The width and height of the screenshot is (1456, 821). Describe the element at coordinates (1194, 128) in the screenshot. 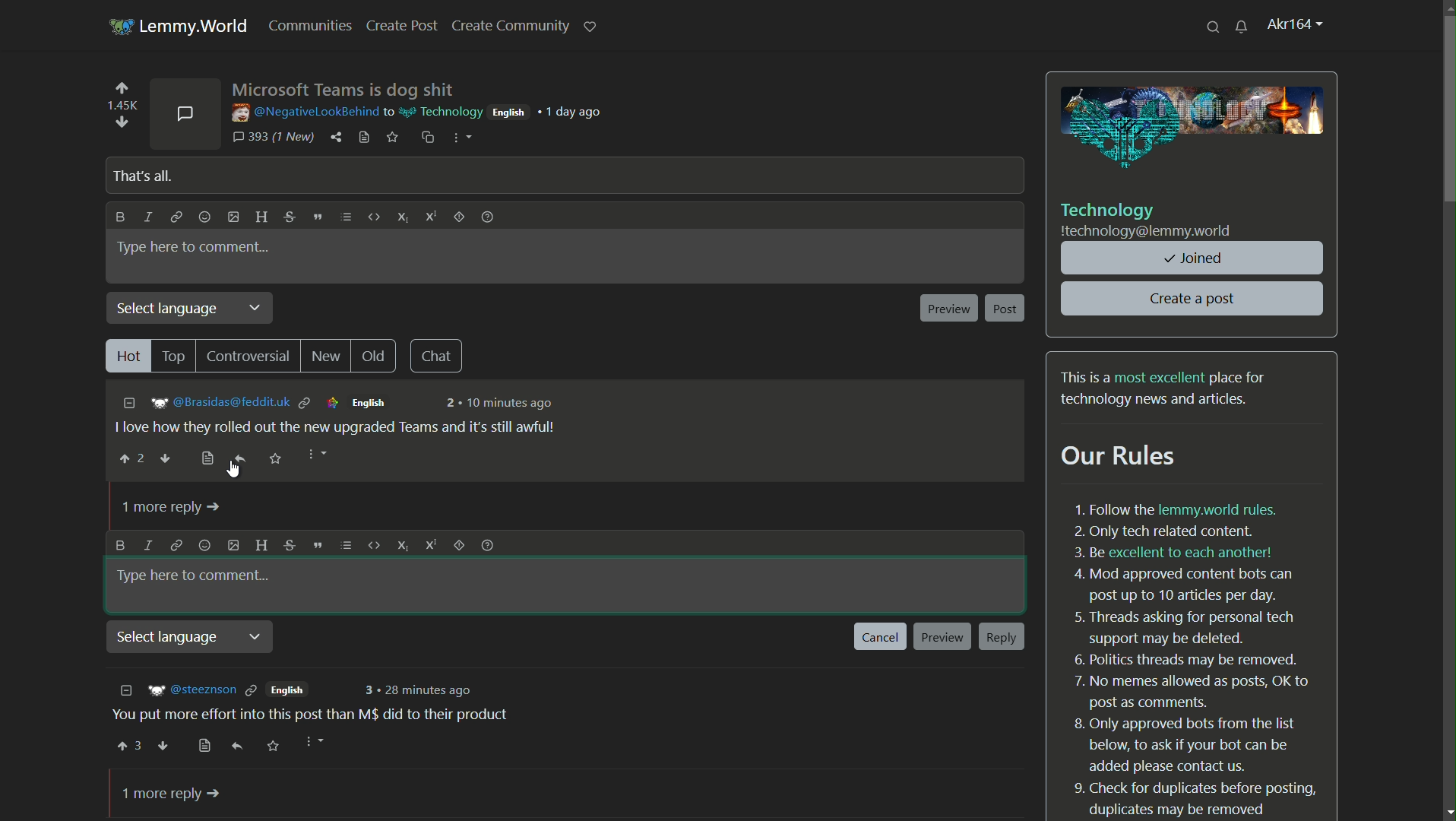

I see `image` at that location.